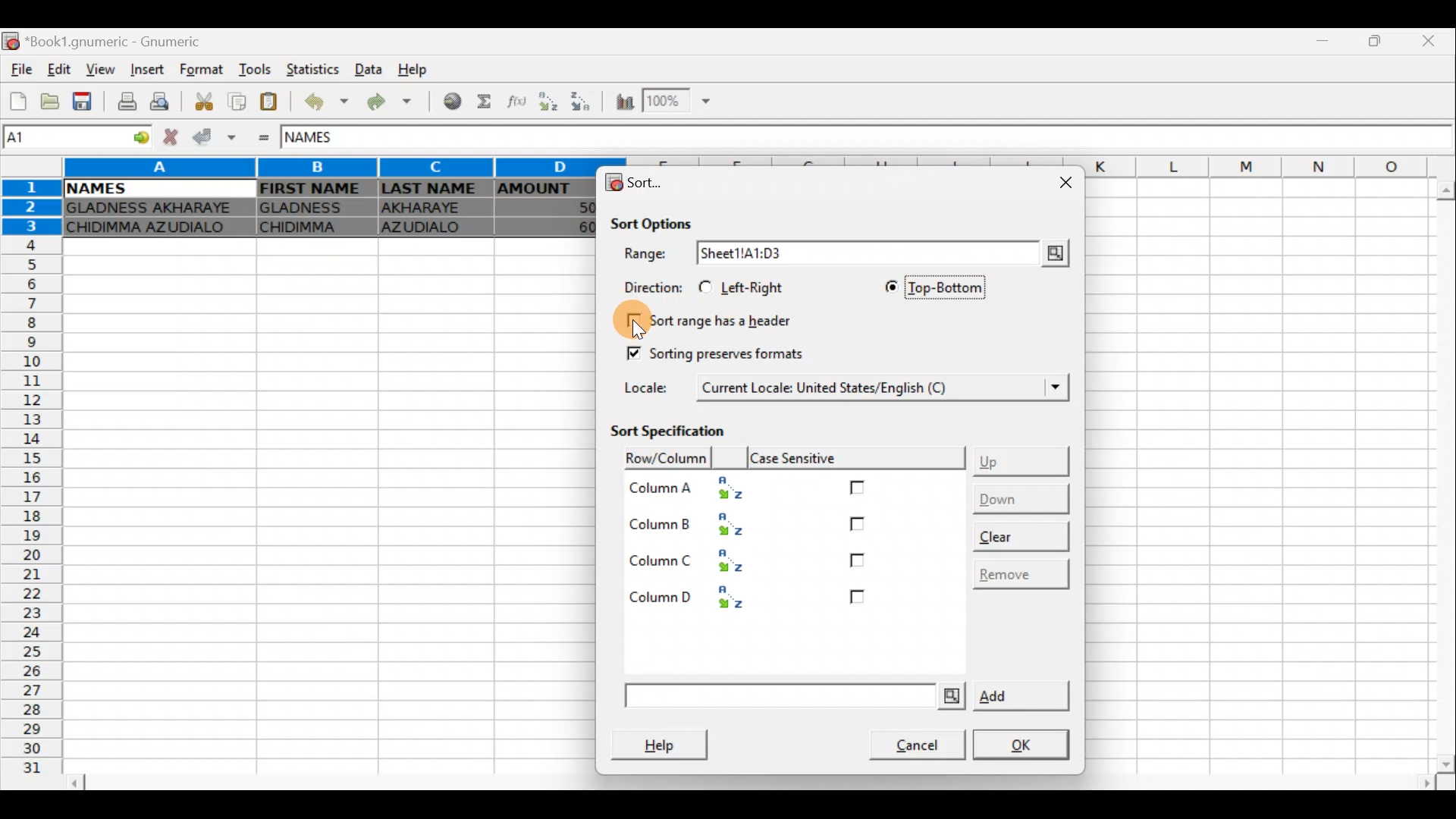  Describe the element at coordinates (700, 596) in the screenshot. I see `Column D` at that location.